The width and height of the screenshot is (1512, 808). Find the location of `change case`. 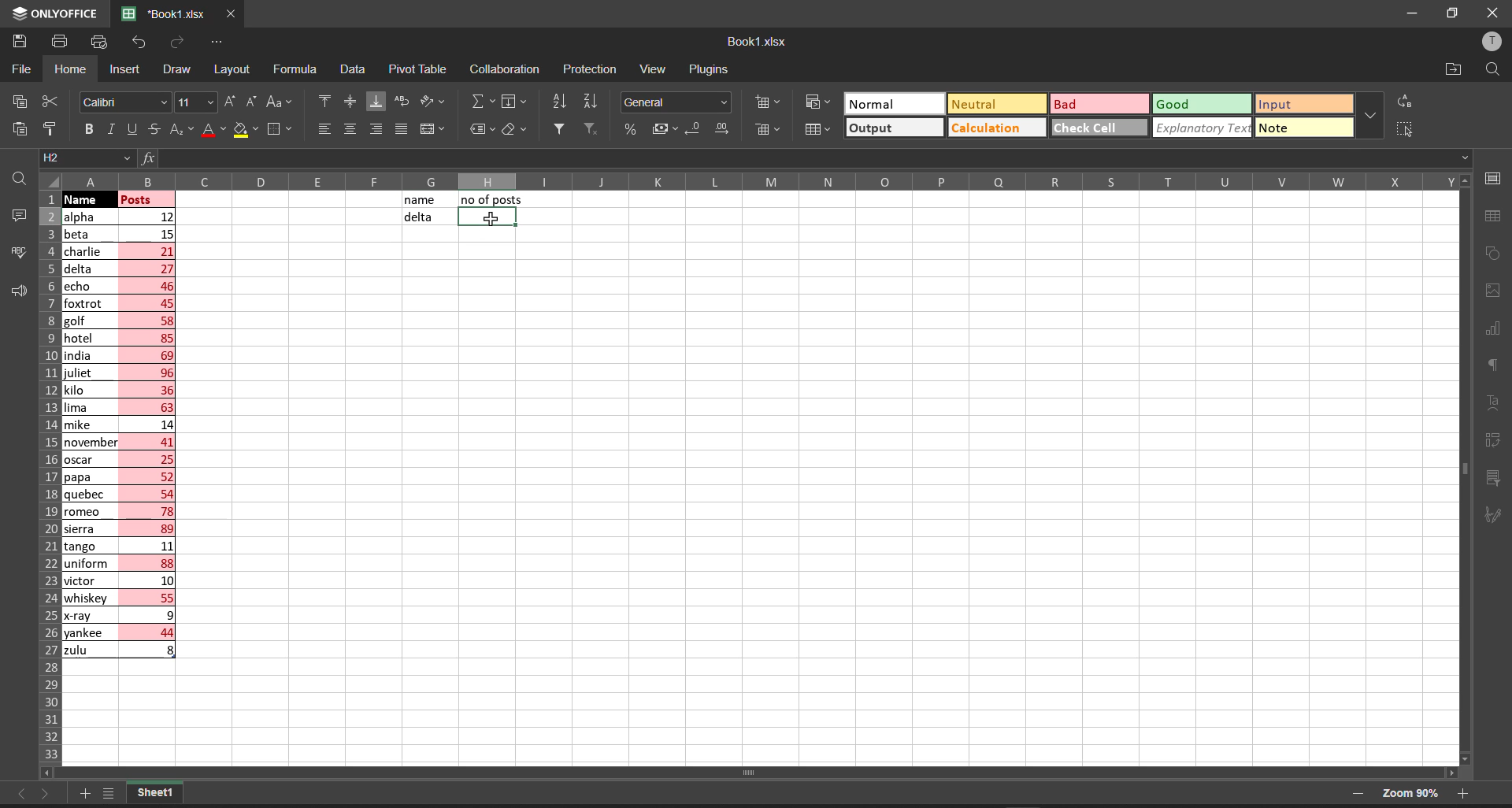

change case is located at coordinates (281, 102).